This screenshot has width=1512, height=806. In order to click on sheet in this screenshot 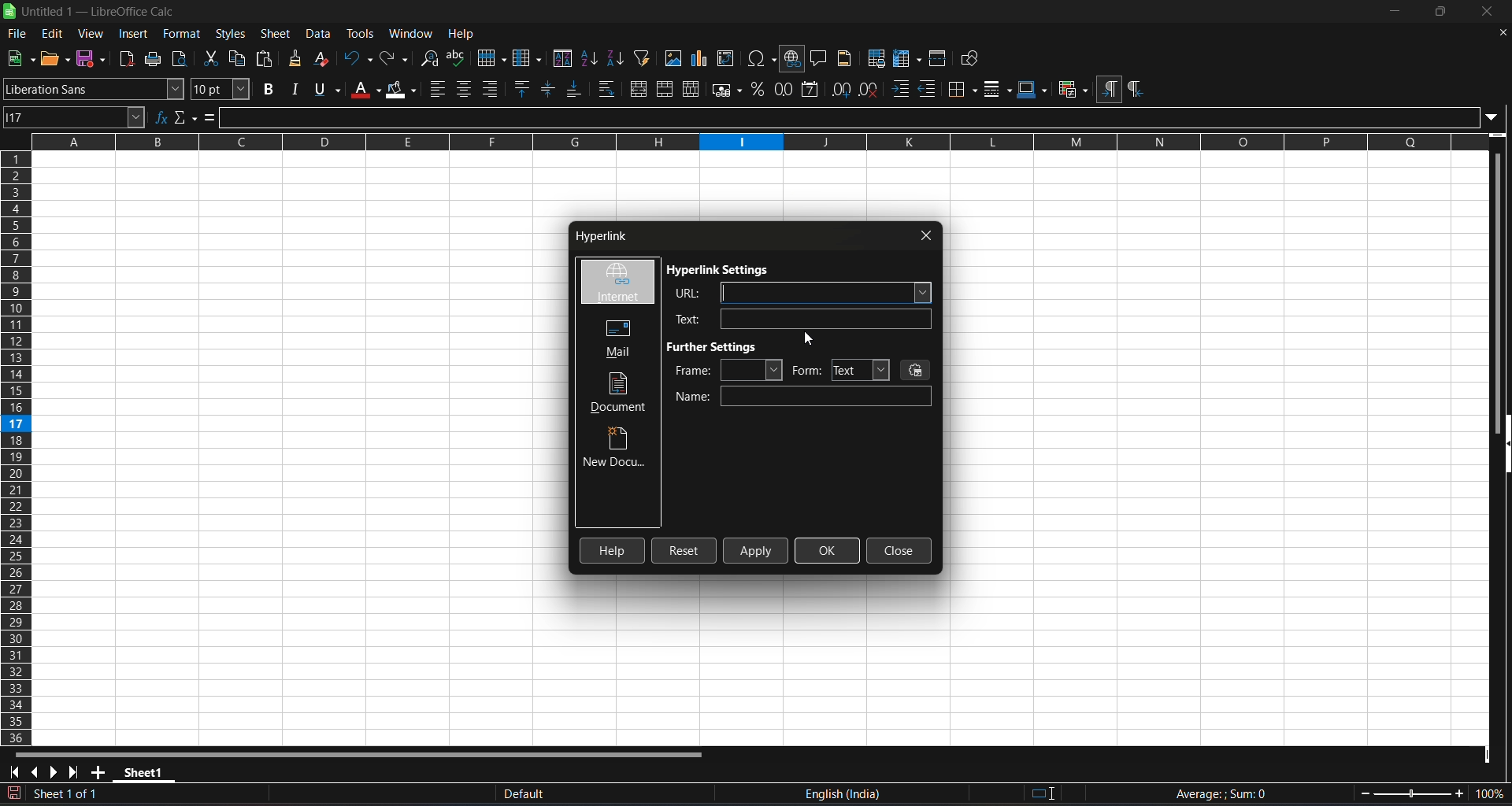, I will do `click(276, 34)`.